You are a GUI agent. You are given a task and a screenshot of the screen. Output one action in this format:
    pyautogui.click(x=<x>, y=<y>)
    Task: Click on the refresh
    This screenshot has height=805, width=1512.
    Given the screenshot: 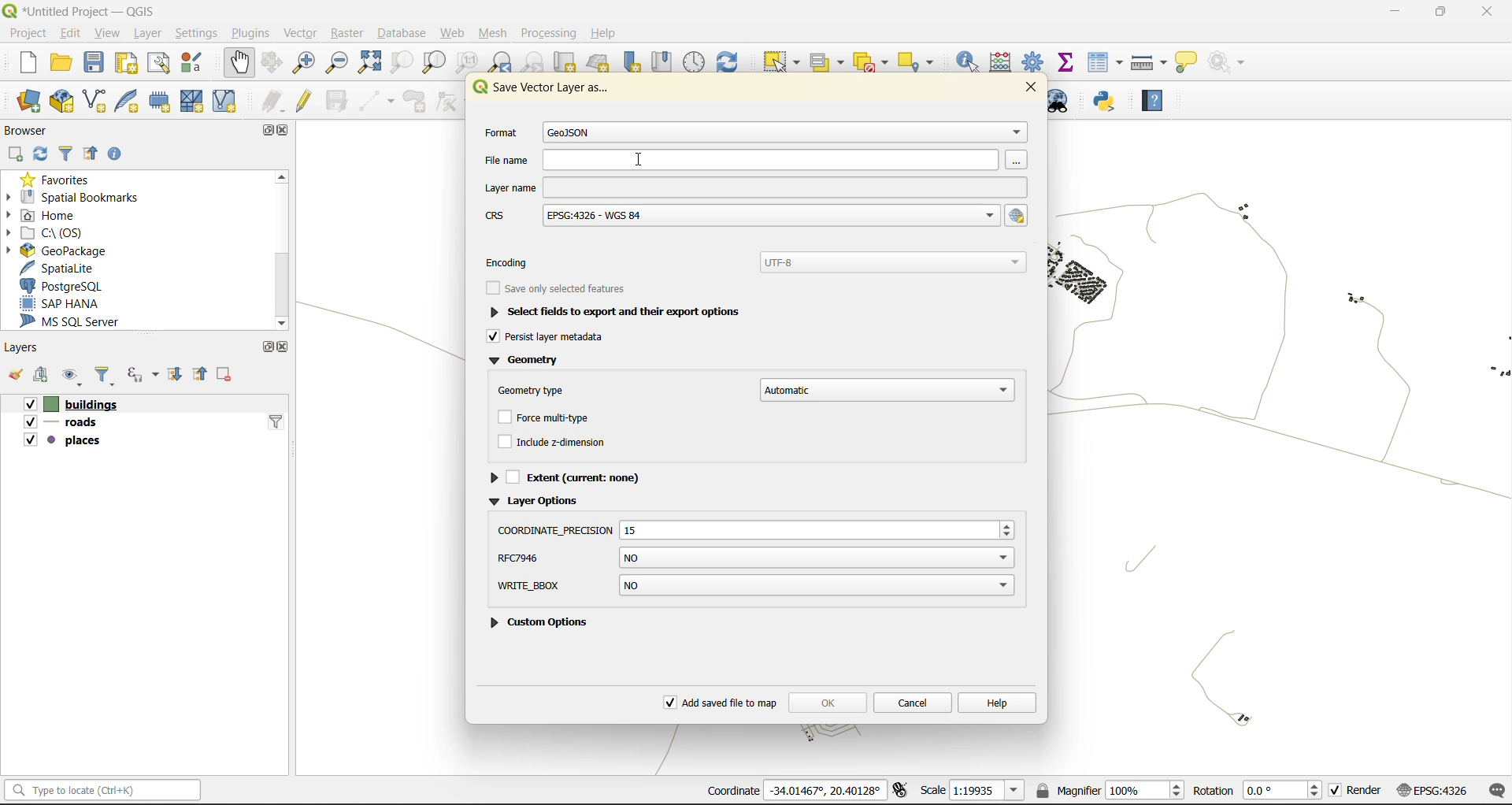 What is the action you would take?
    pyautogui.click(x=731, y=61)
    